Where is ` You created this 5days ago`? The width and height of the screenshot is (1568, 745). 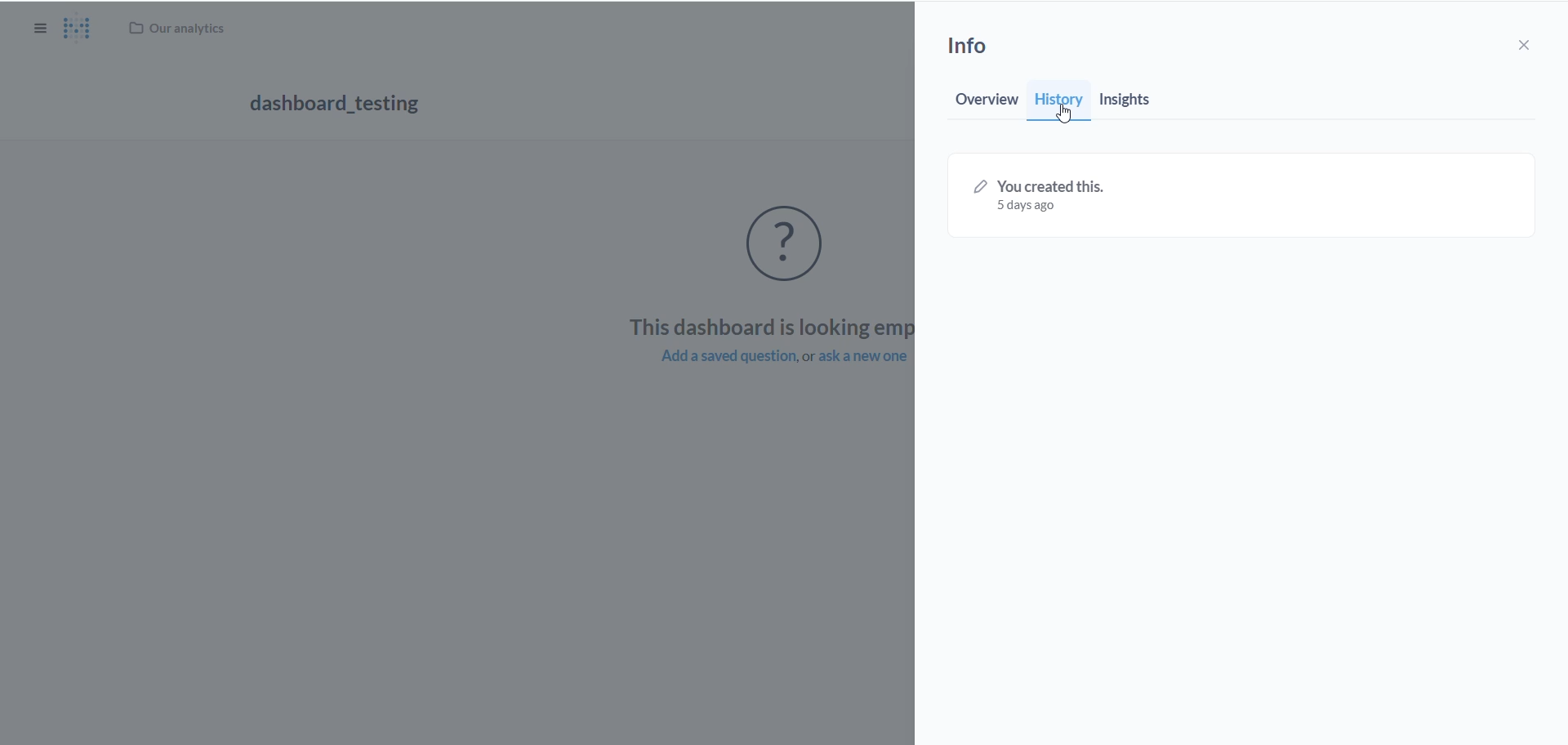  You created this 5days ago is located at coordinates (1043, 196).